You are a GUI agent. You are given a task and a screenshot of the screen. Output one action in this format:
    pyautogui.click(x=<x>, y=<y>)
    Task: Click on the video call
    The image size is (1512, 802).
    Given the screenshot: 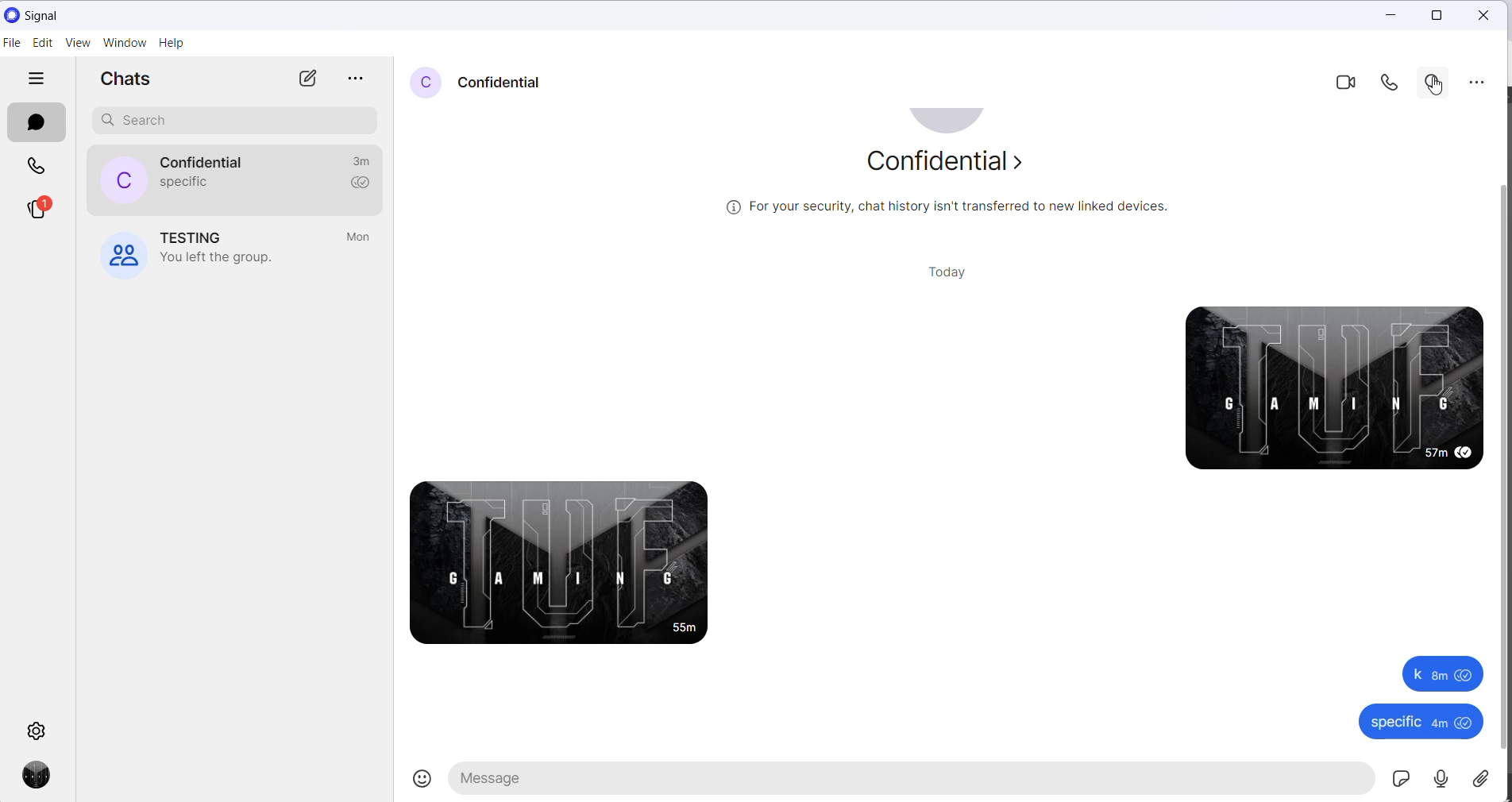 What is the action you would take?
    pyautogui.click(x=1346, y=83)
    